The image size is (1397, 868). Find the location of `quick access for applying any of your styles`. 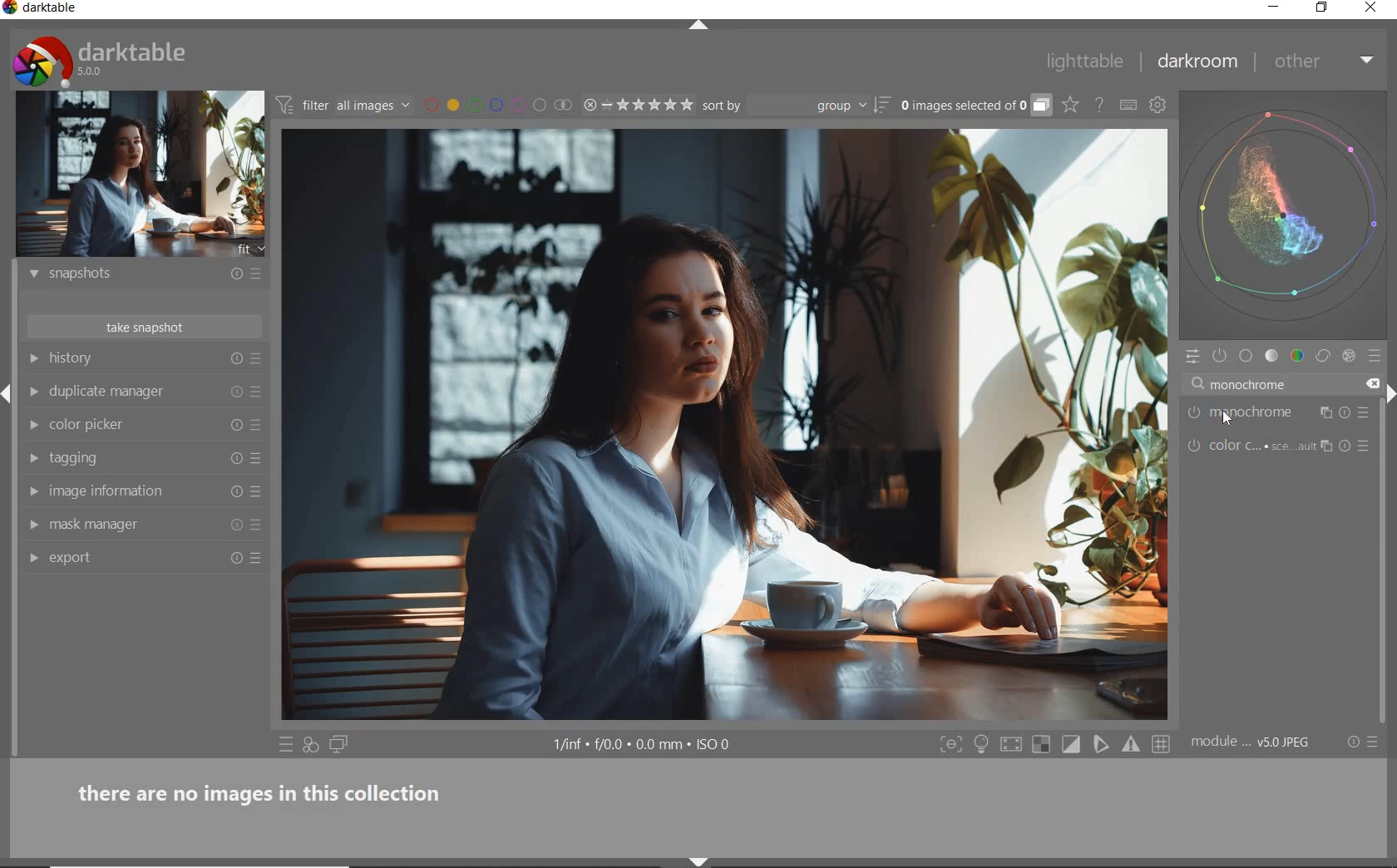

quick access for applying any of your styles is located at coordinates (312, 746).